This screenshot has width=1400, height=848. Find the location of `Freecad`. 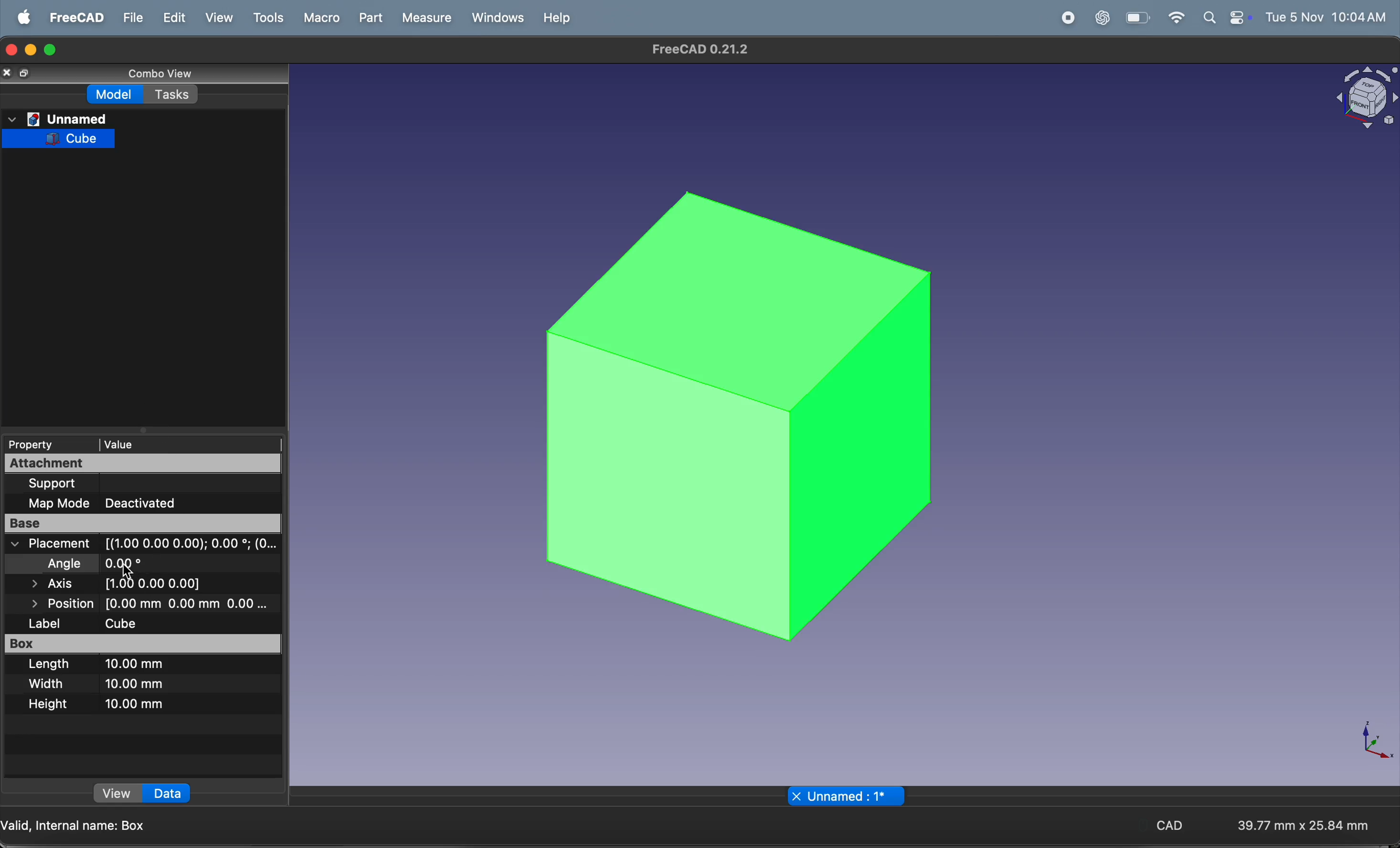

Freecad is located at coordinates (700, 49).